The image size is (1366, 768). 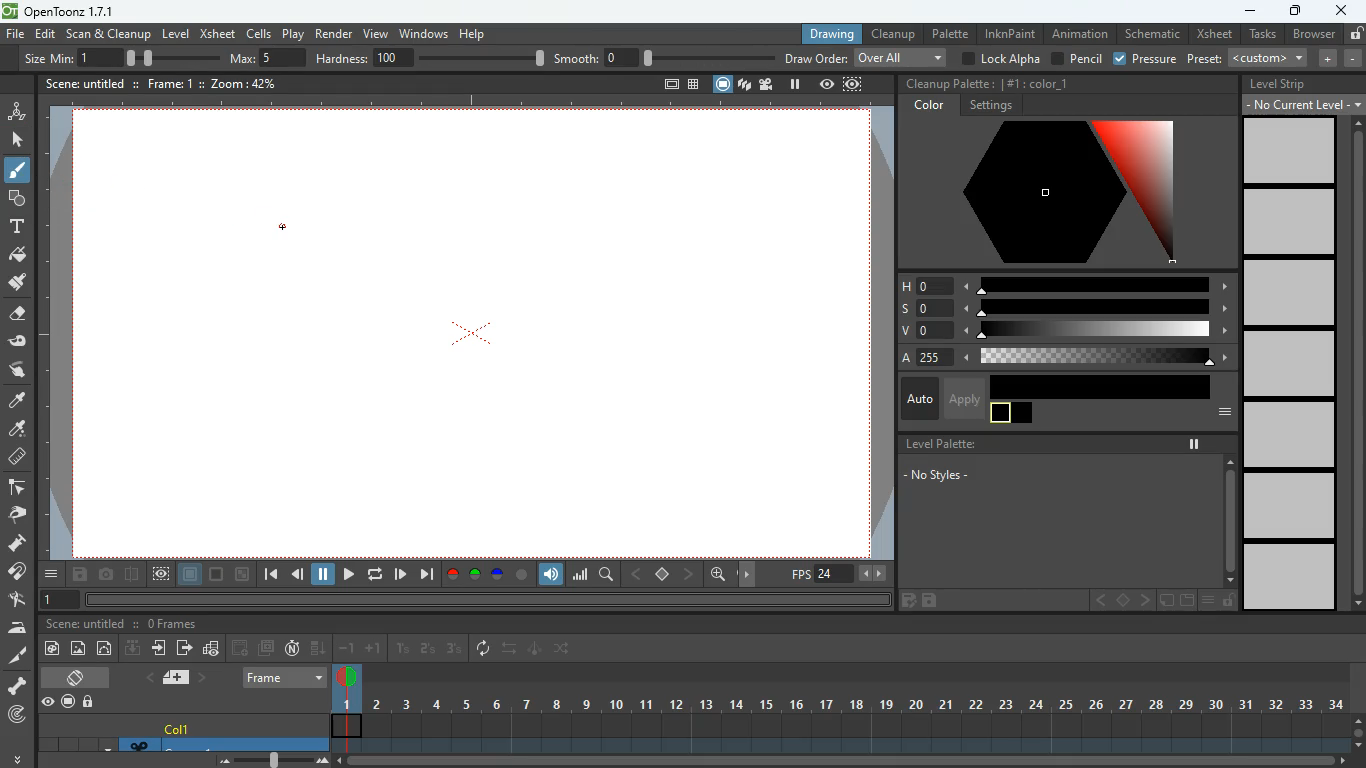 I want to click on level strip, so click(x=1278, y=84).